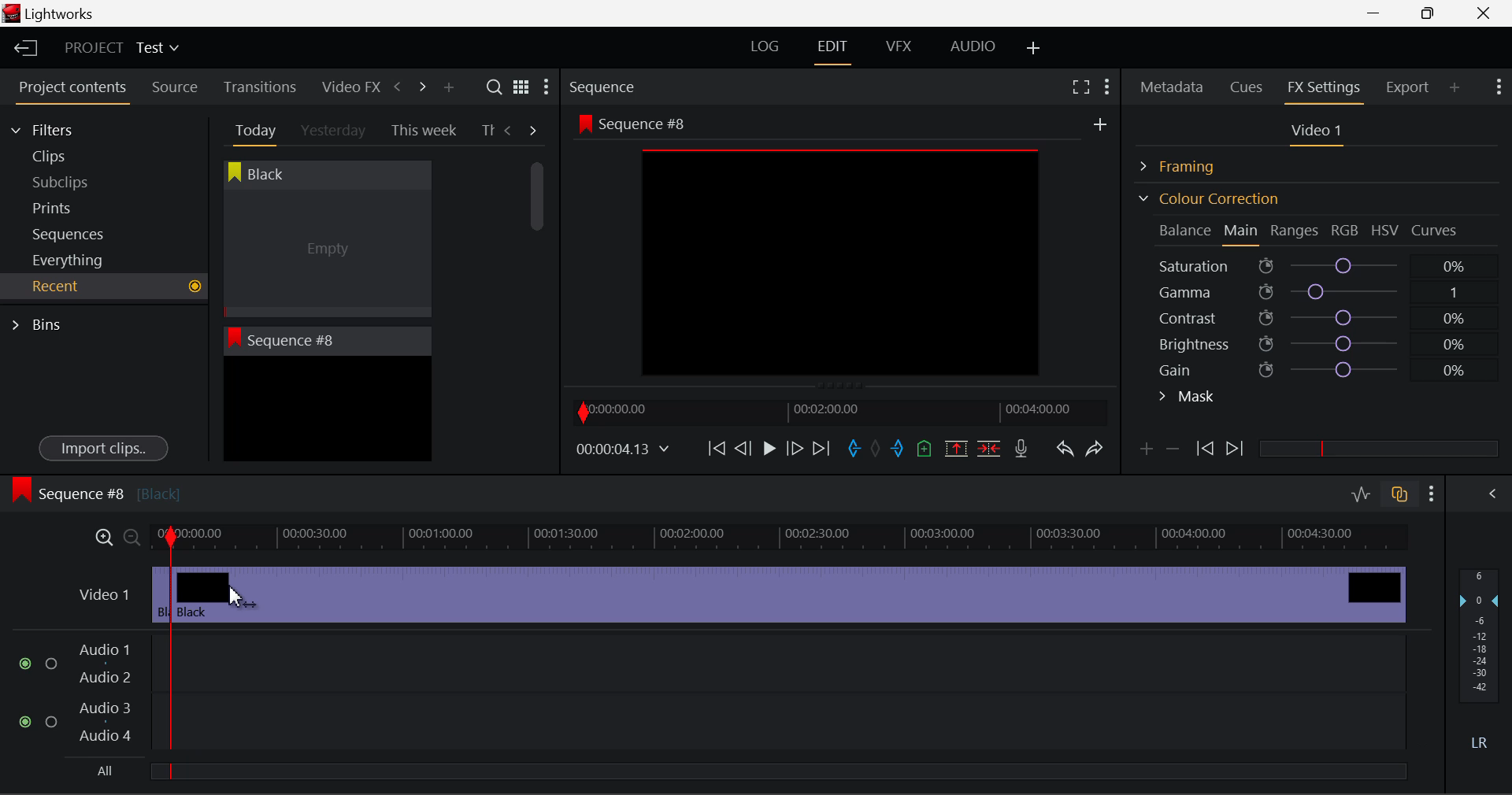 The image size is (1512, 795). What do you see at coordinates (1494, 492) in the screenshot?
I see `Show Audio Mix` at bounding box center [1494, 492].